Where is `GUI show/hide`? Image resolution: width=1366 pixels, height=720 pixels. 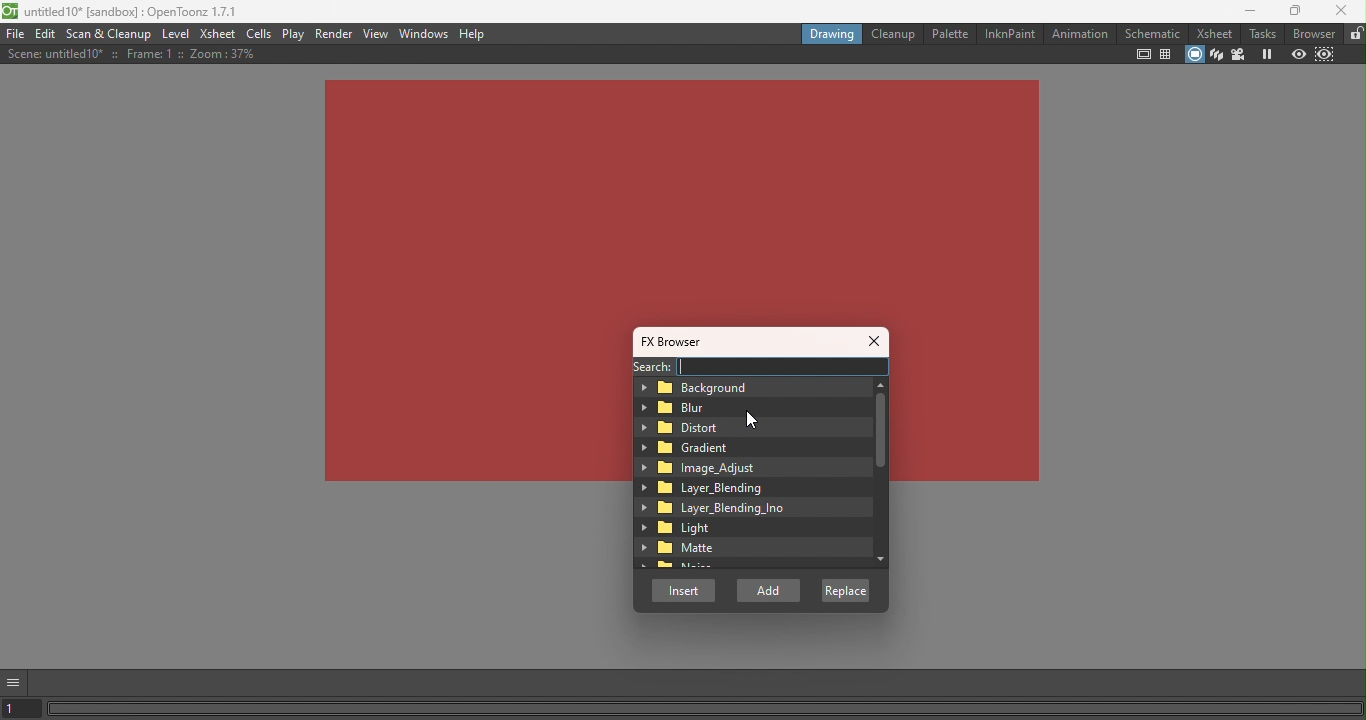
GUI show/hide is located at coordinates (14, 683).